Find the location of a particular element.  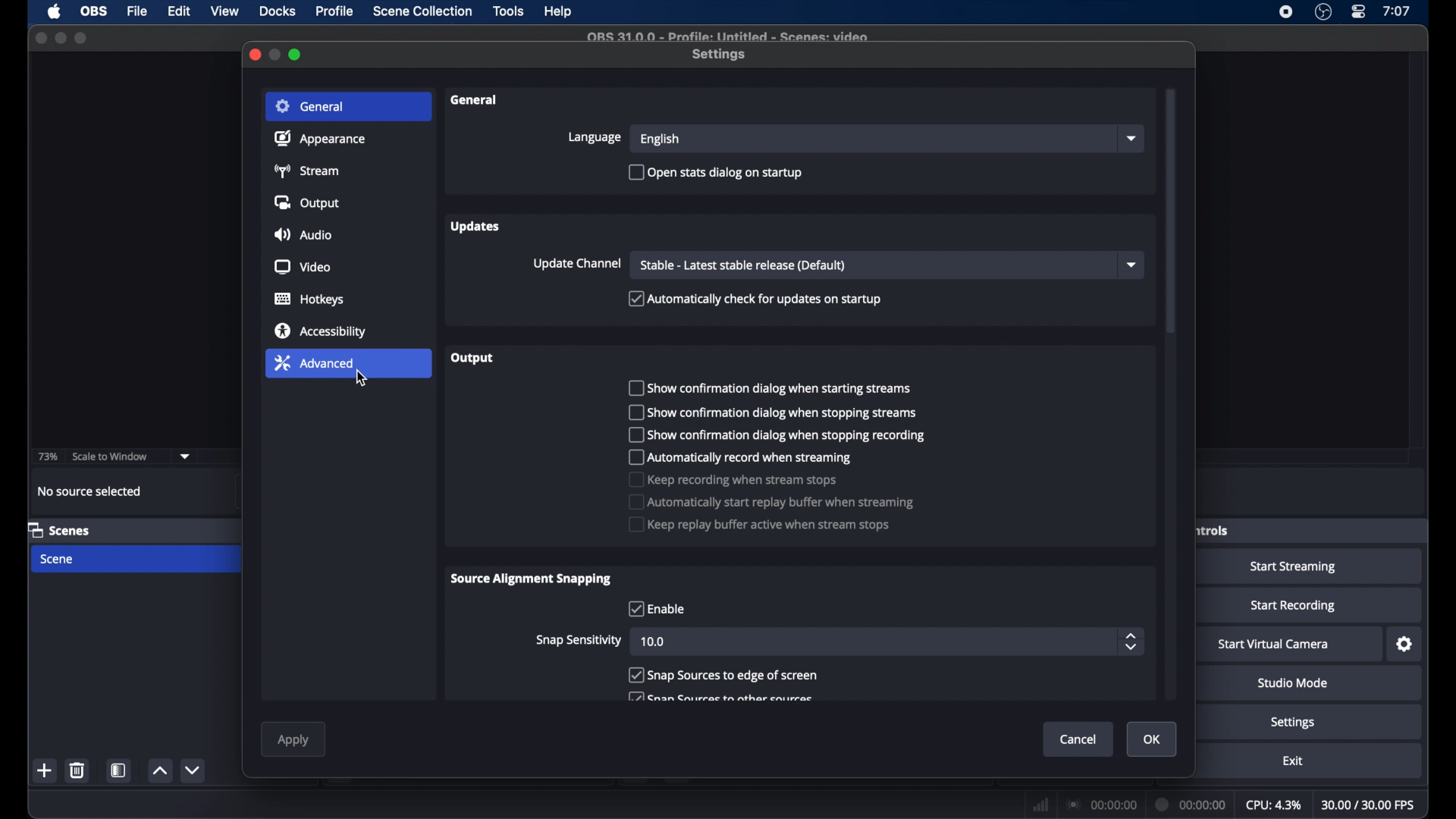

file is located at coordinates (138, 11).